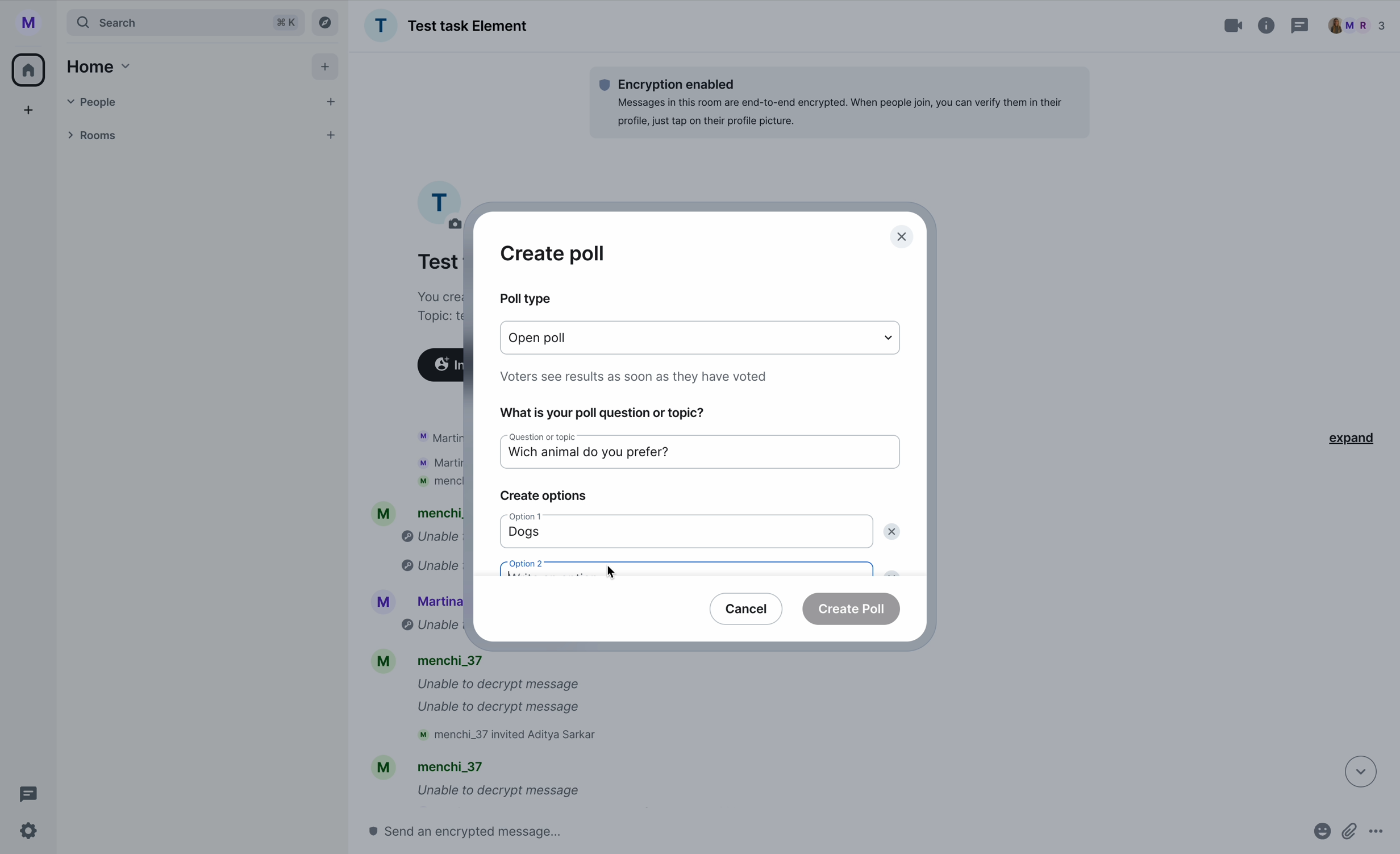 The width and height of the screenshot is (1400, 854). Describe the element at coordinates (553, 253) in the screenshot. I see `create poll` at that location.